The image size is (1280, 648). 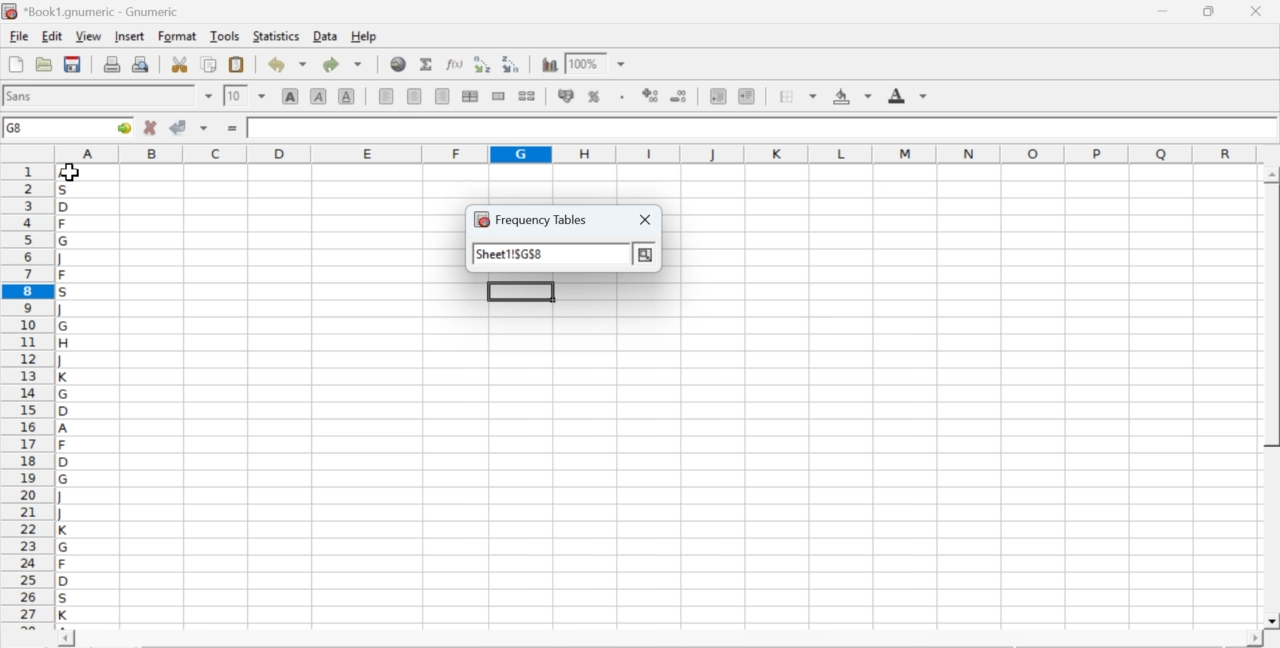 What do you see at coordinates (526, 95) in the screenshot?
I see `split merged ranges of cells` at bounding box center [526, 95].